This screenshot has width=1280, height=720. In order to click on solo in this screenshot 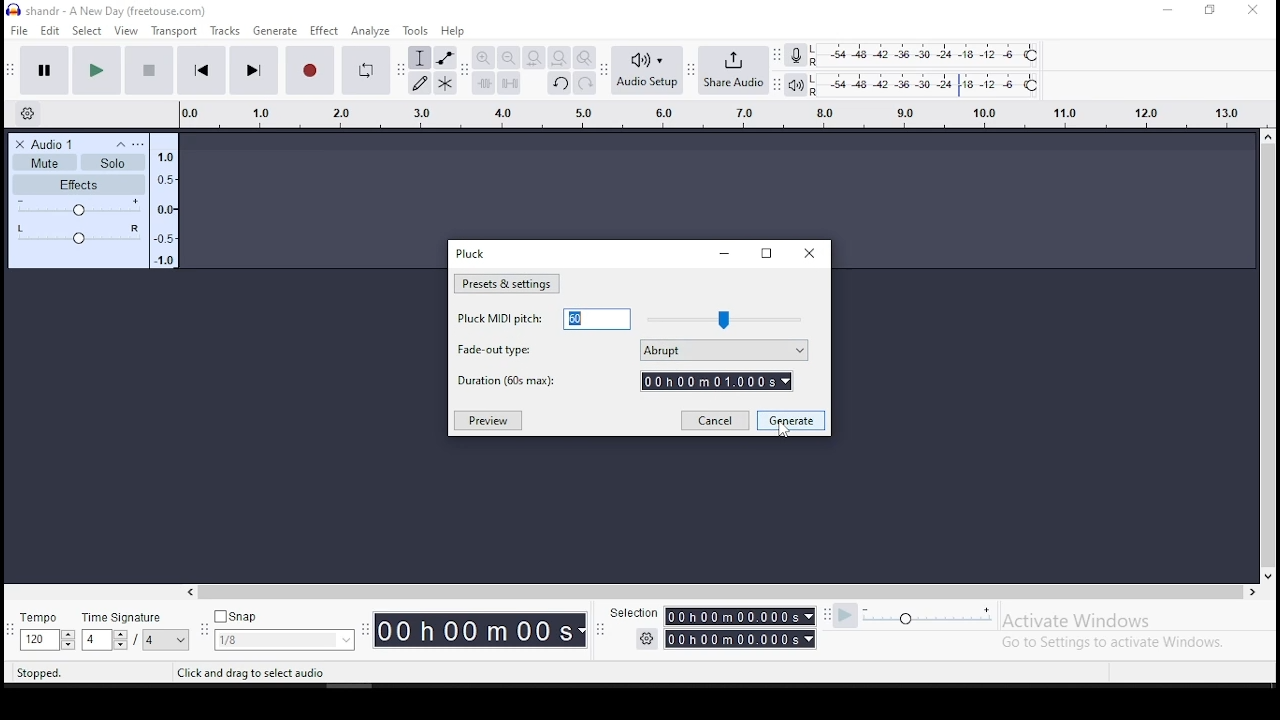, I will do `click(112, 162)`.